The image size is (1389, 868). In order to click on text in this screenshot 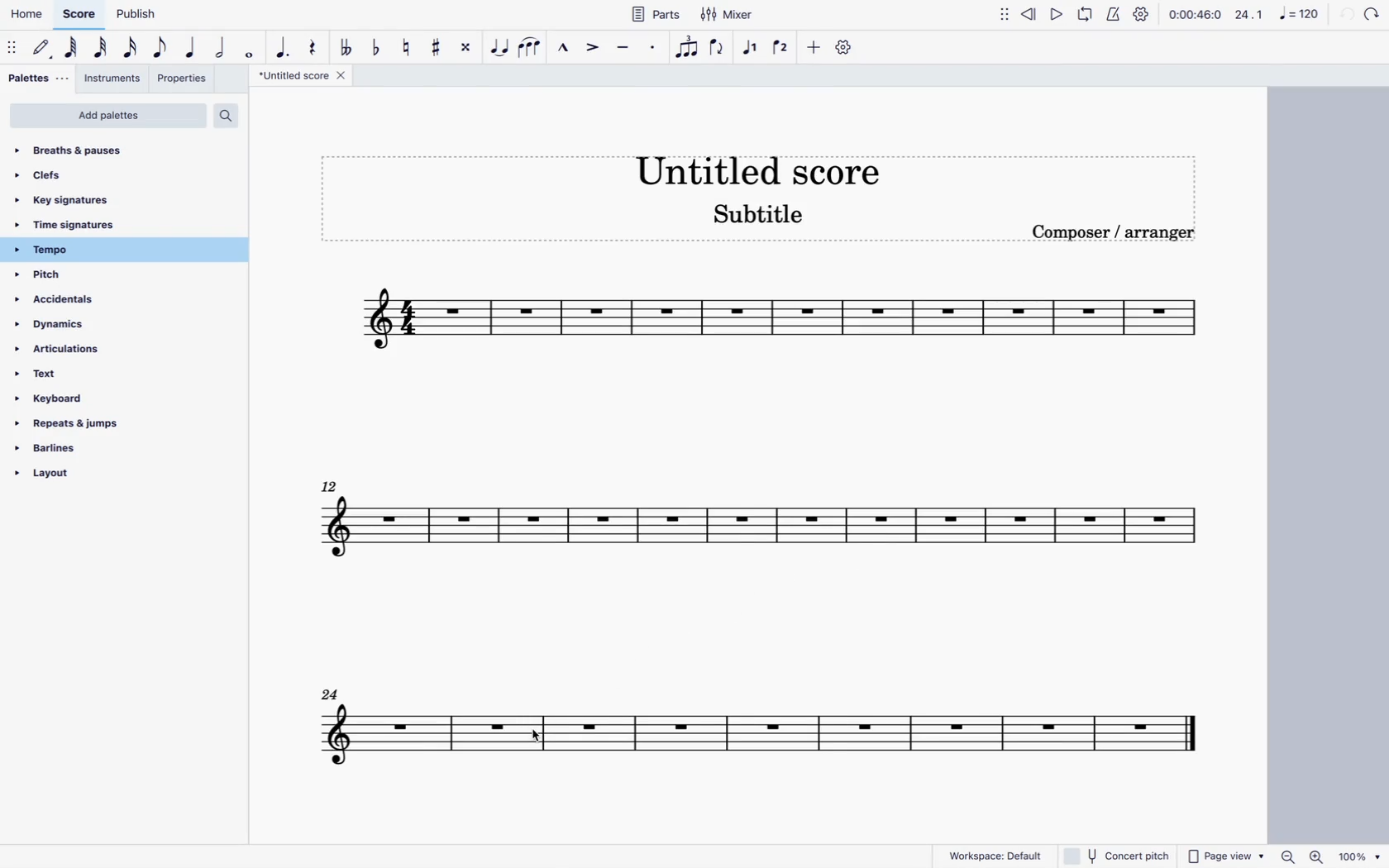, I will do `click(68, 375)`.